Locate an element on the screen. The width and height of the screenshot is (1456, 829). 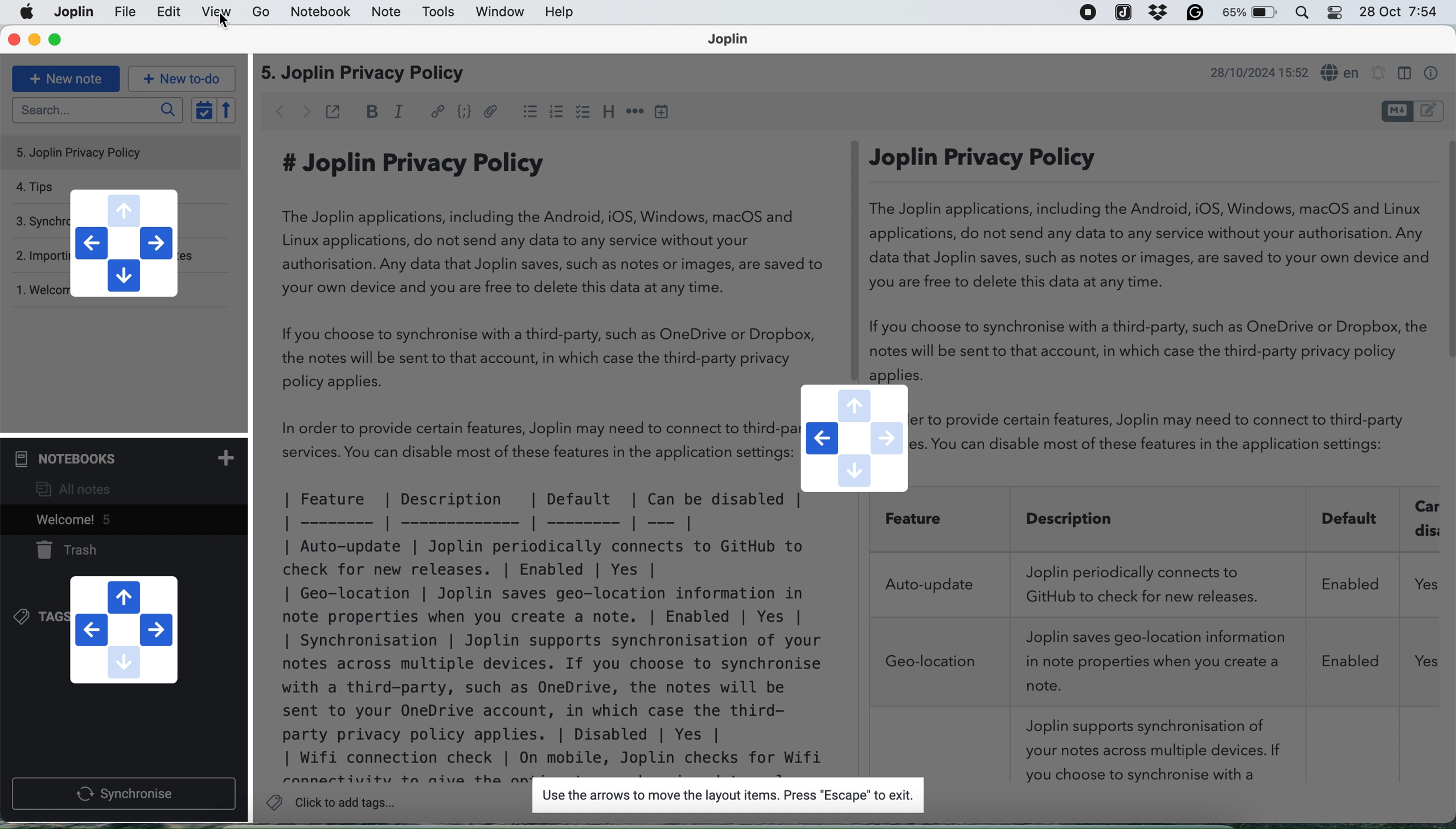
navigation buttons is located at coordinates (122, 243).